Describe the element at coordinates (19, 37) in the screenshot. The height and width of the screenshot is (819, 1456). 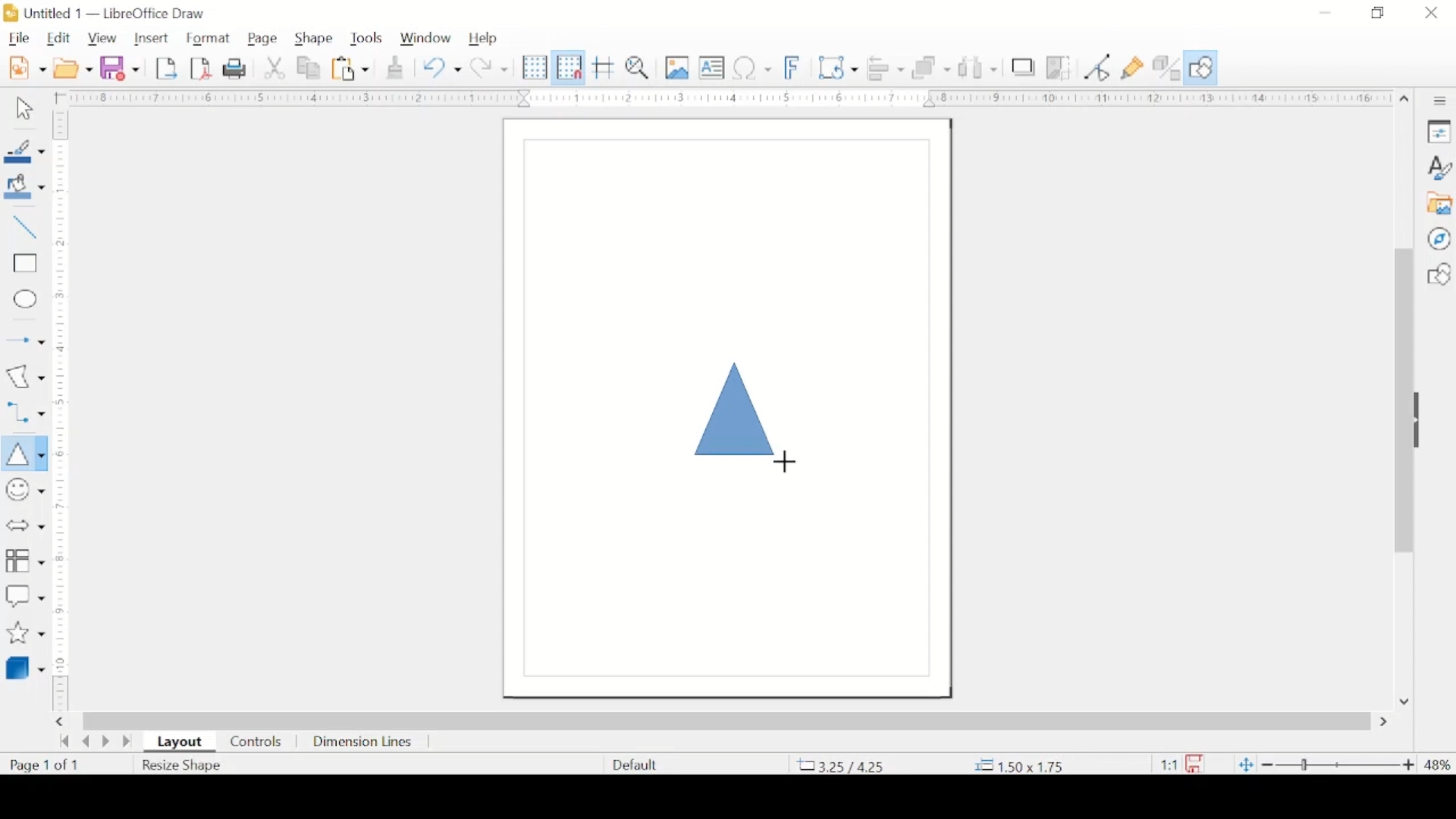
I see `file` at that location.